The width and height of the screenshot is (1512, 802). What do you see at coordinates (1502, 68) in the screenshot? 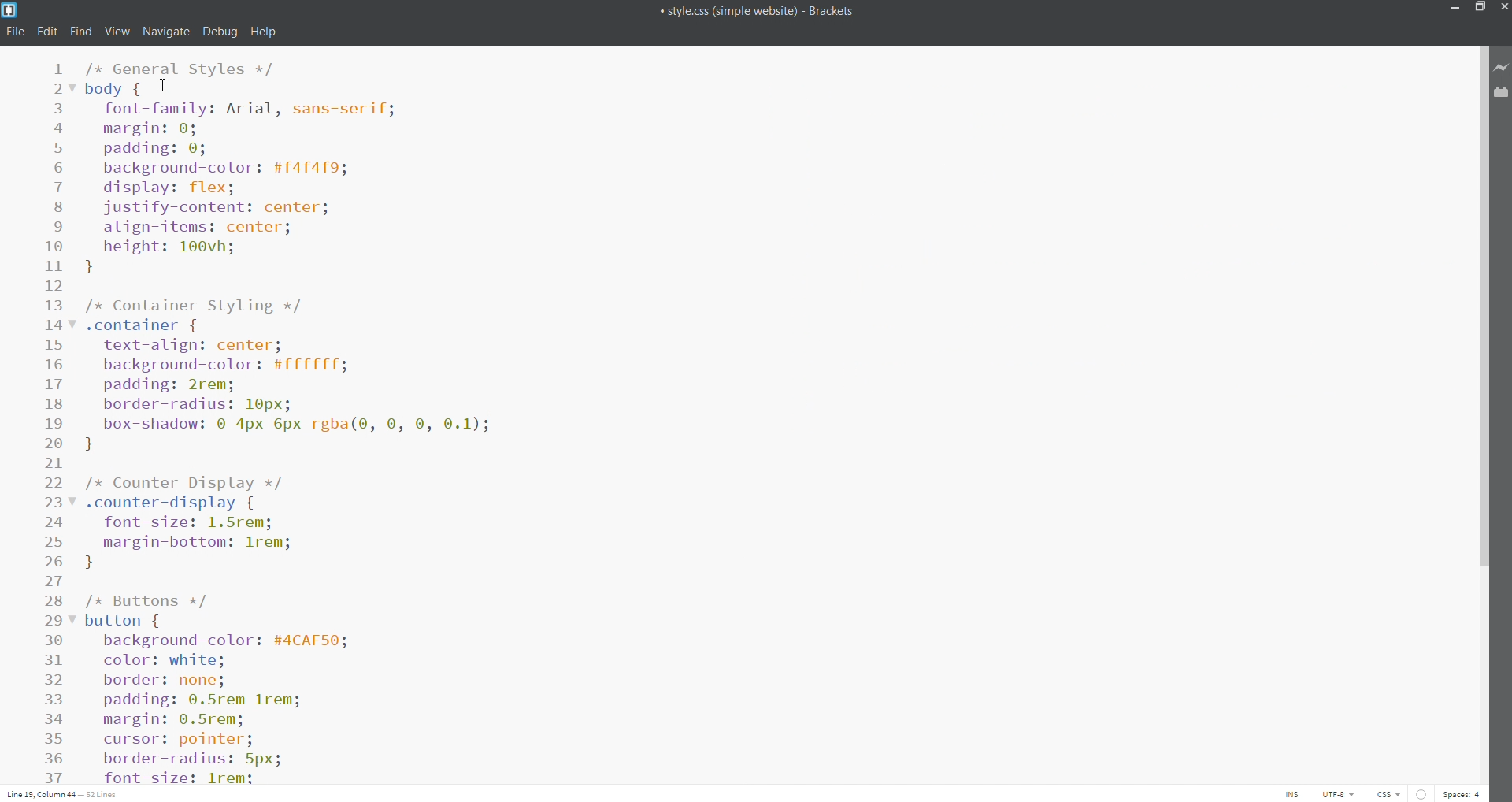
I see `live preview` at bounding box center [1502, 68].